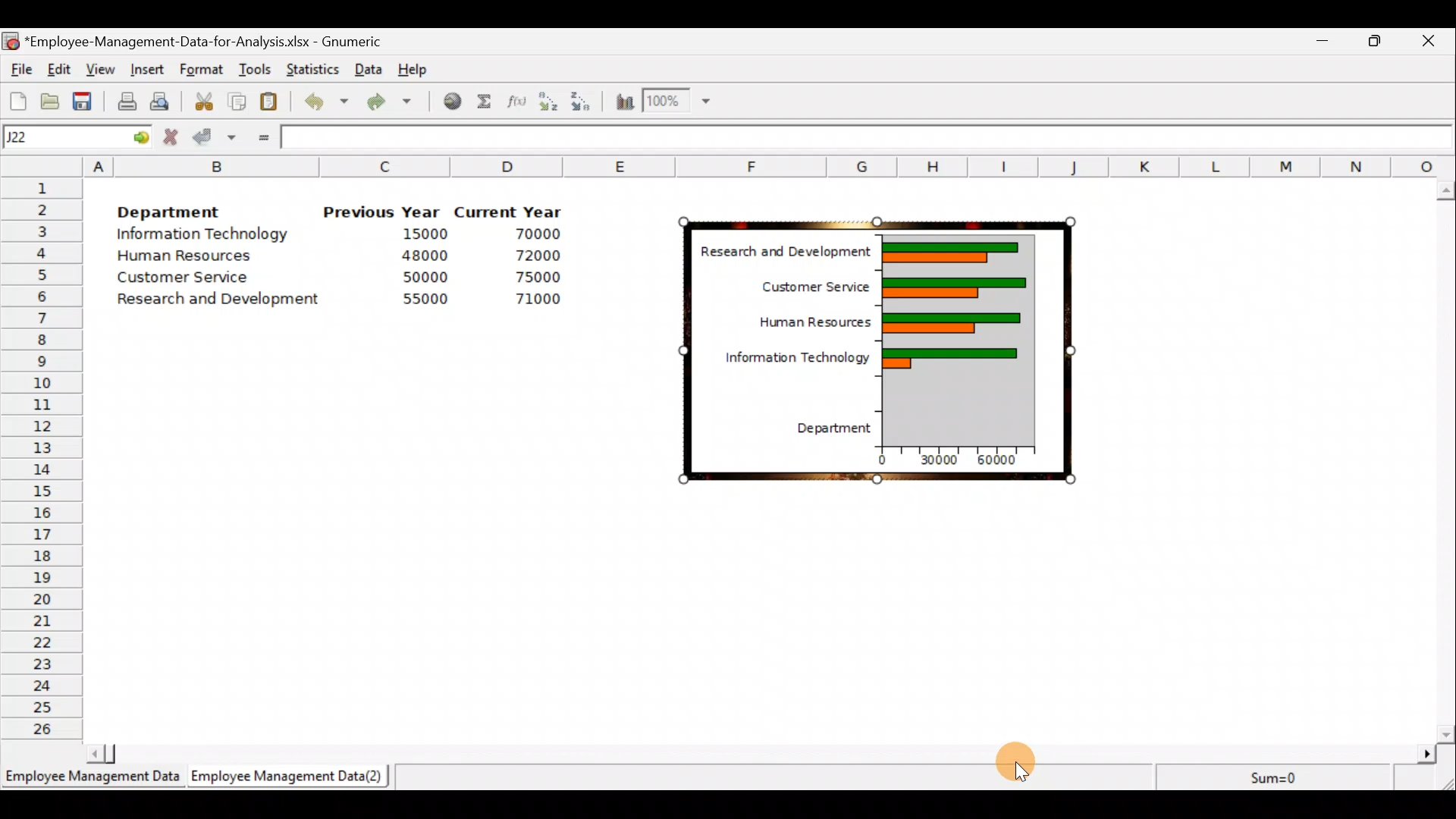 The image size is (1456, 819). I want to click on Information Technology, so click(781, 357).